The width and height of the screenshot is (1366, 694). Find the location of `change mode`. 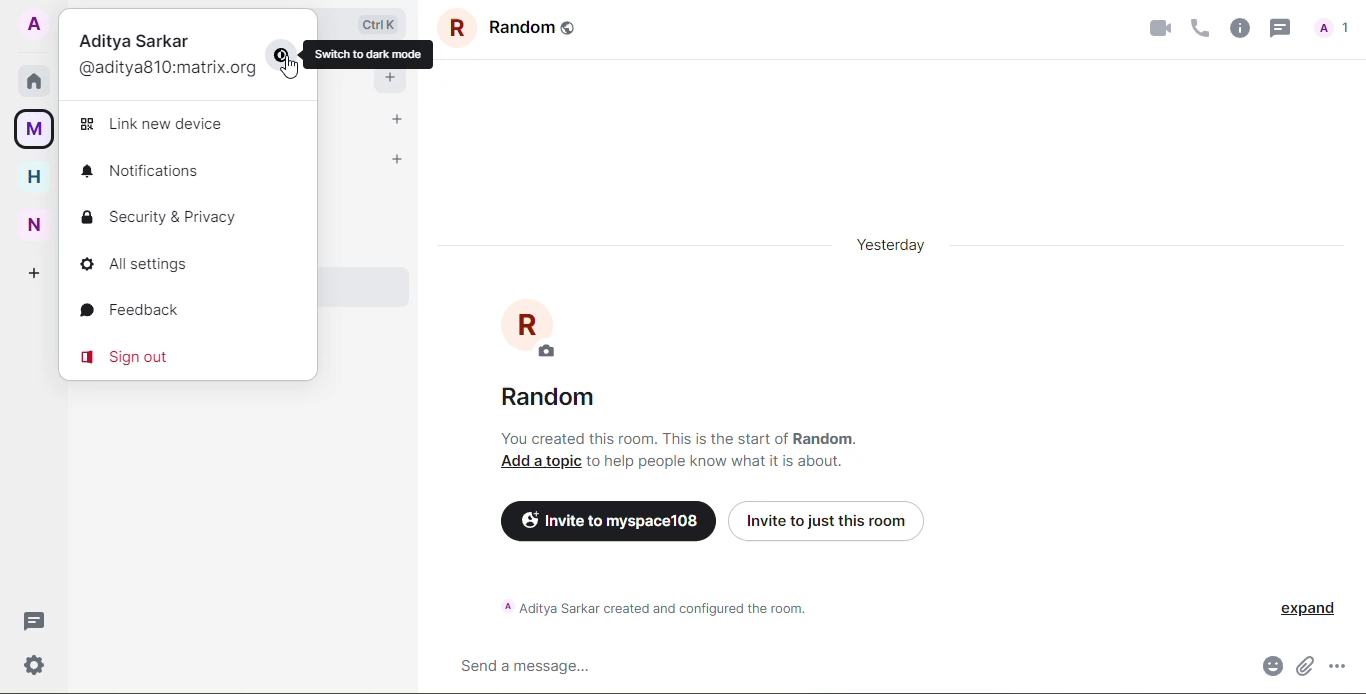

change mode is located at coordinates (288, 53).